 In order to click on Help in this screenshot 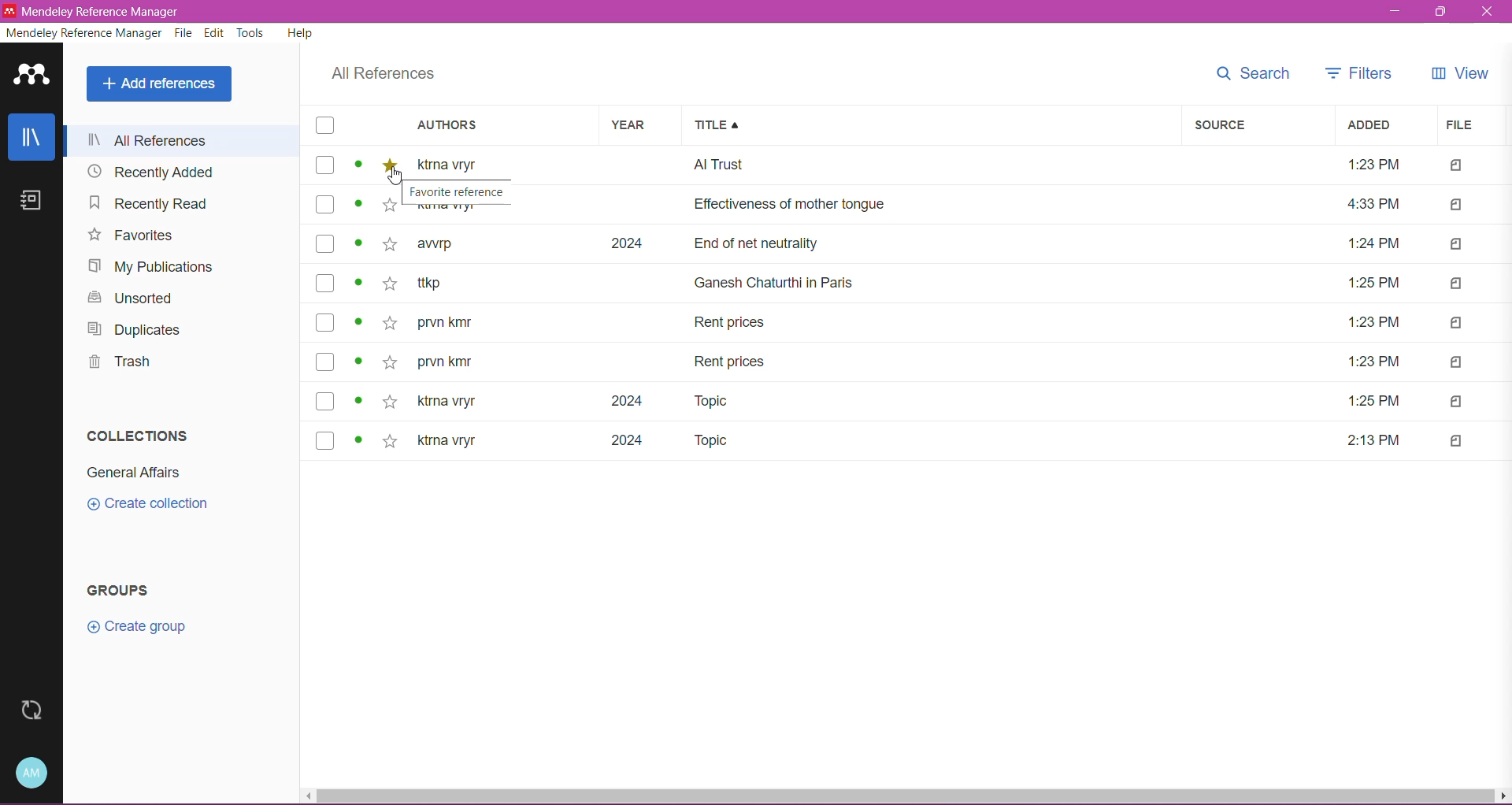, I will do `click(300, 34)`.